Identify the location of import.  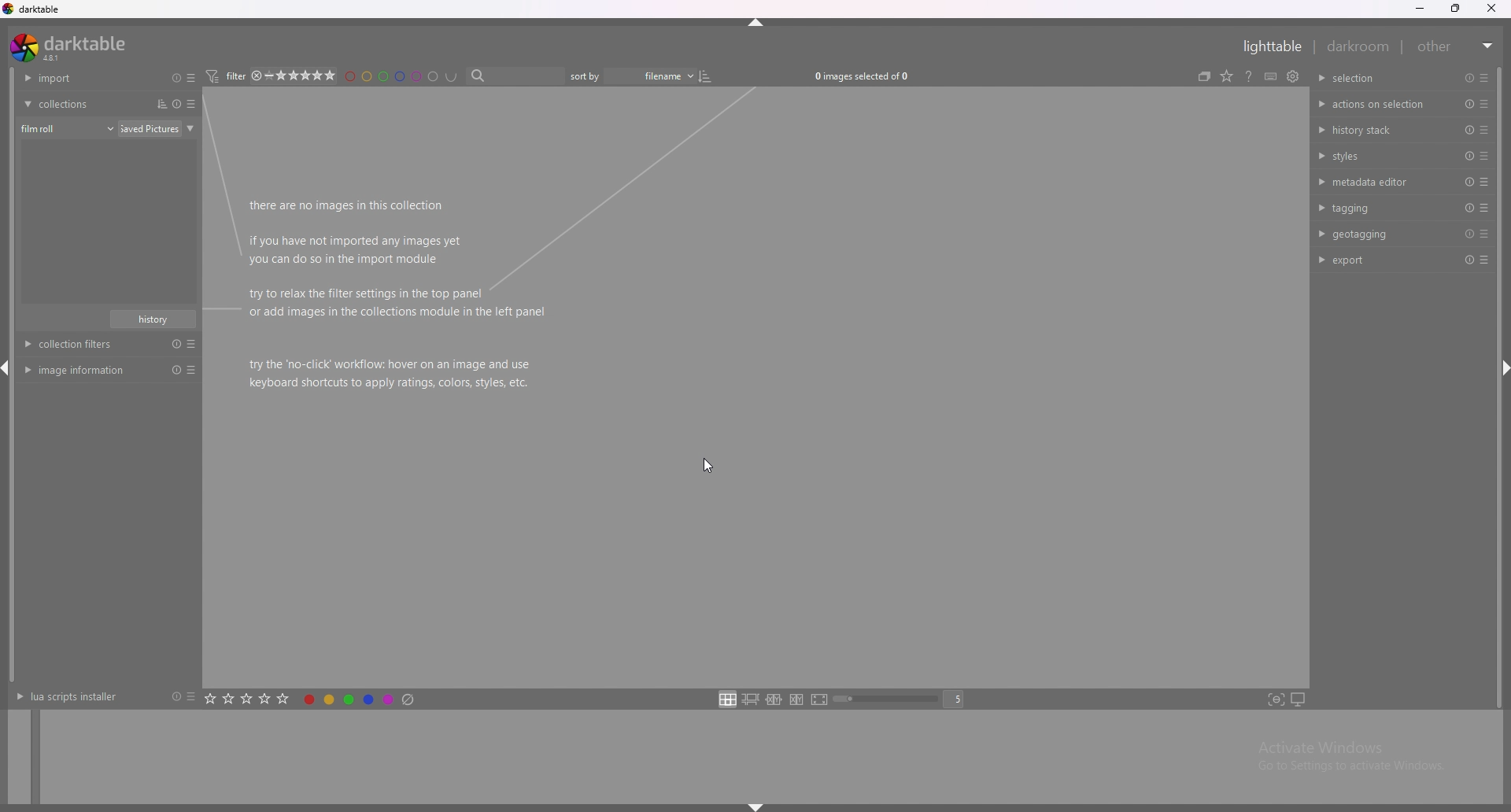
(79, 78).